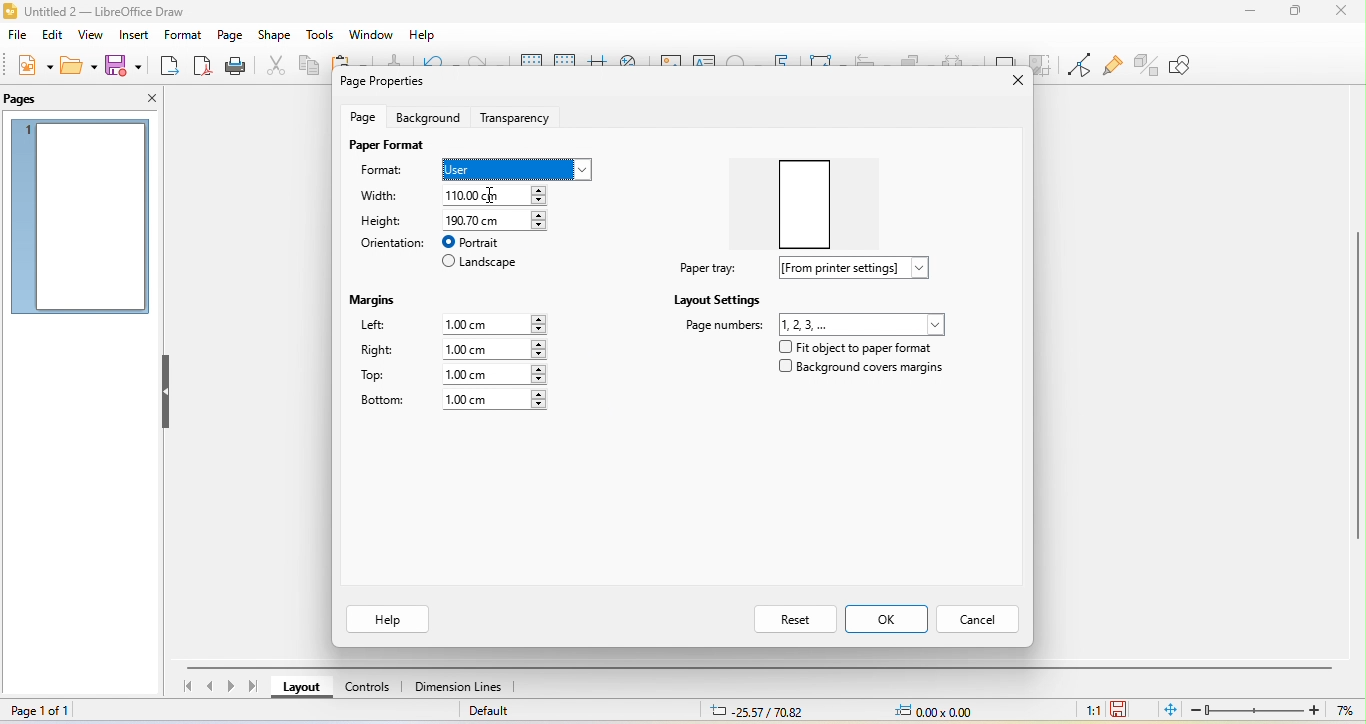 This screenshot has width=1366, height=724. Describe the element at coordinates (763, 665) in the screenshot. I see `horizontal scroll bar` at that location.